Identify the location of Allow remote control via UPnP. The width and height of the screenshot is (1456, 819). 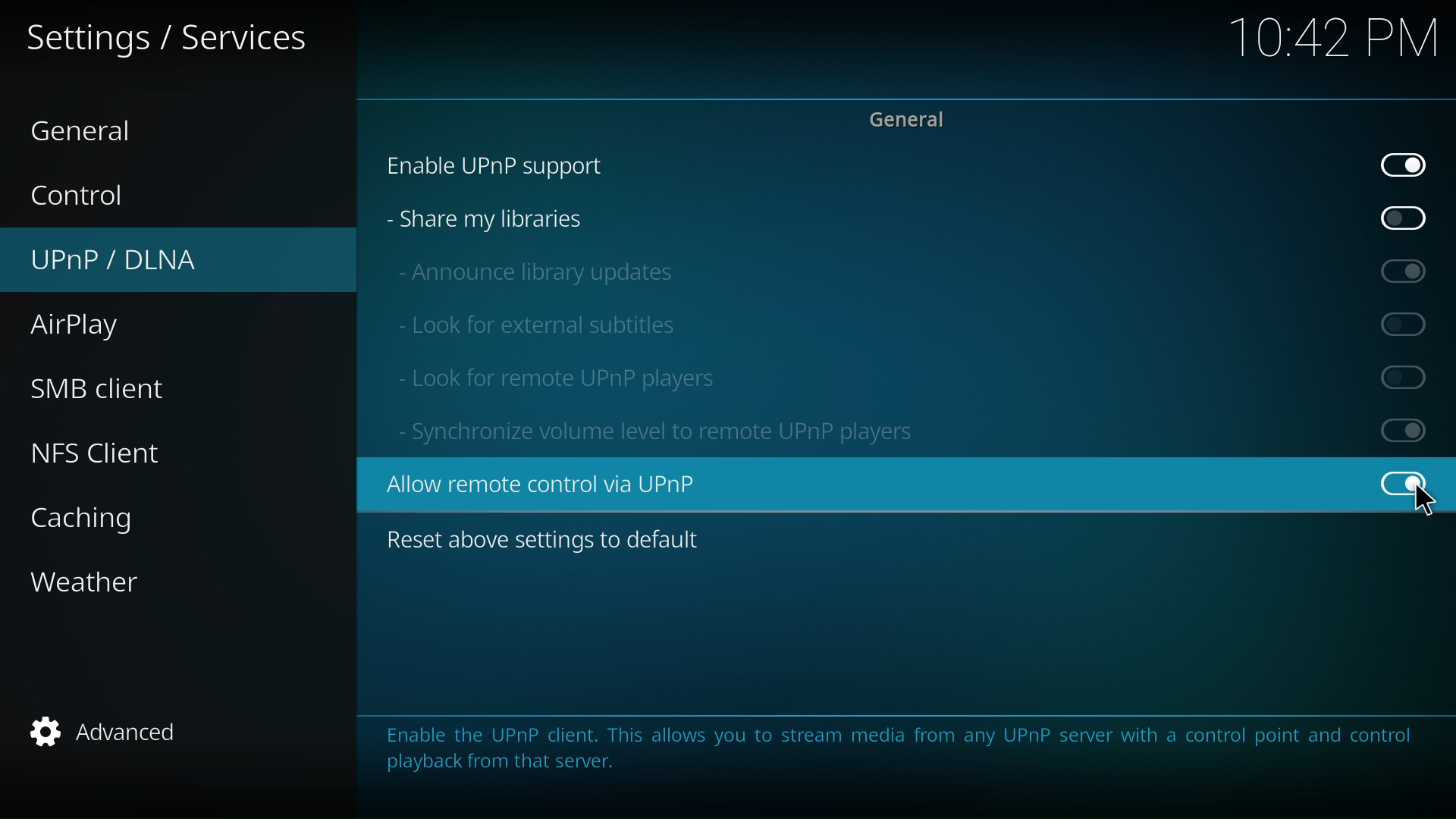
(907, 485).